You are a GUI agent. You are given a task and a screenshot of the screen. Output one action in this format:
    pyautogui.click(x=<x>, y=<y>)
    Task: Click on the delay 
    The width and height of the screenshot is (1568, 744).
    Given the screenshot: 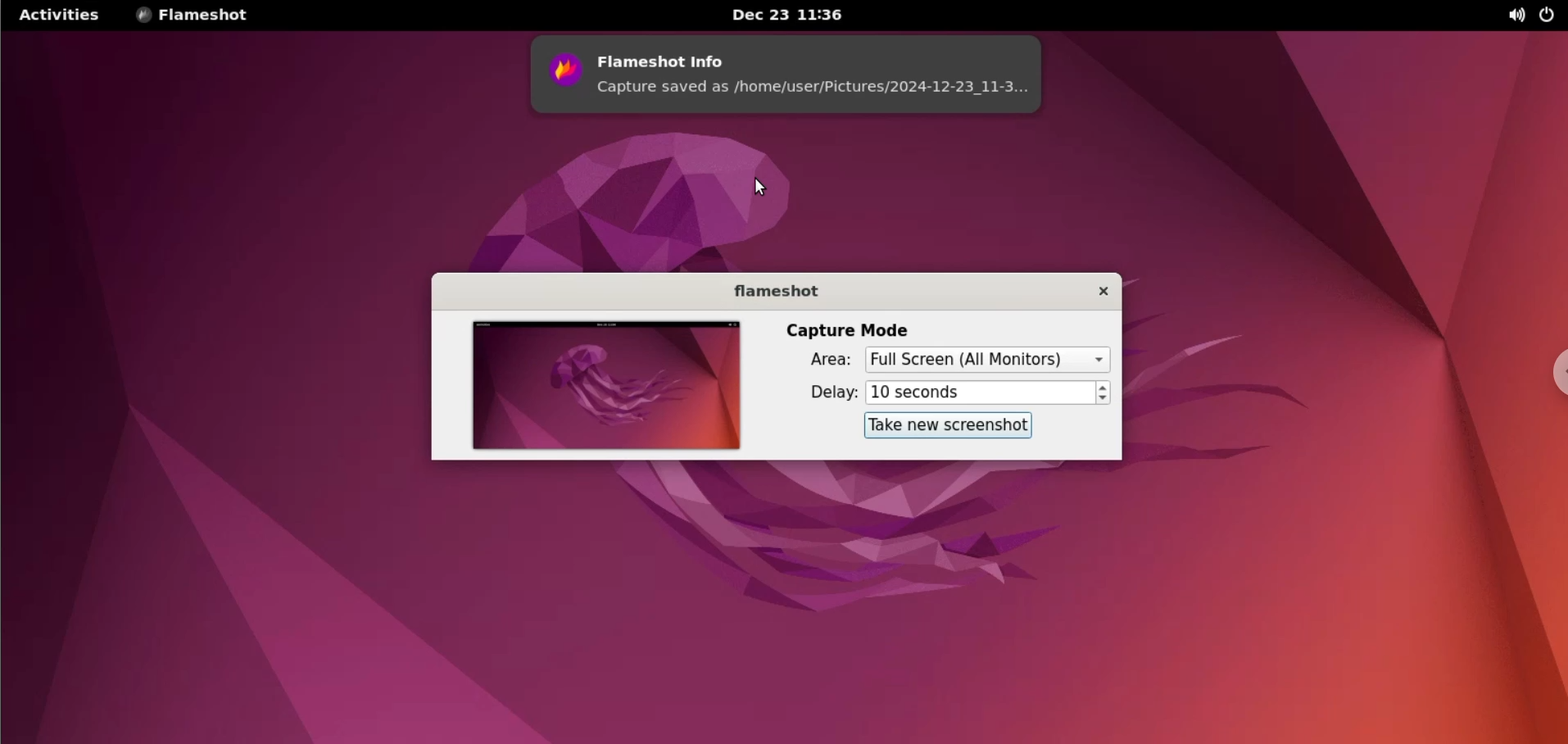 What is the action you would take?
    pyautogui.click(x=827, y=390)
    